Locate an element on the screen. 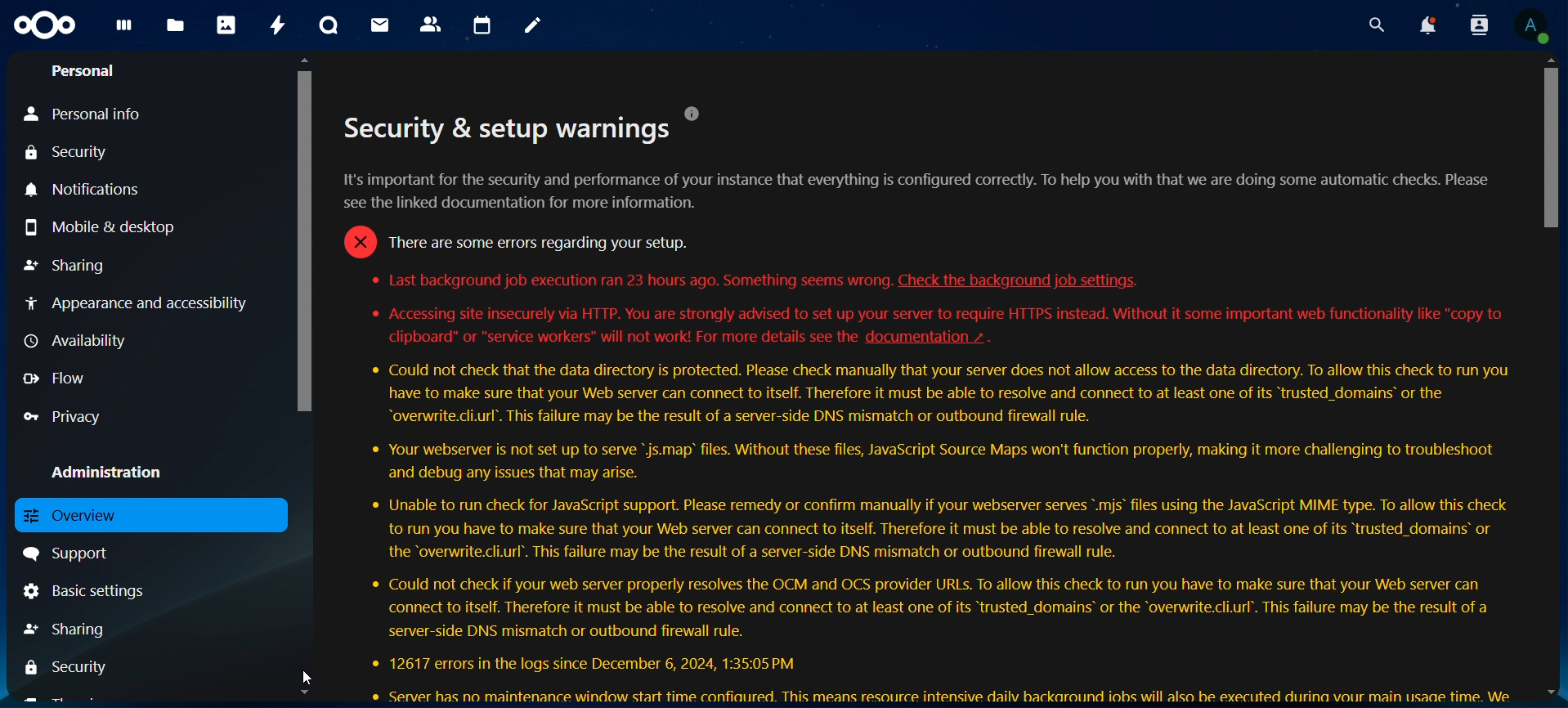 This screenshot has height=708, width=1568. Scrollbar is located at coordinates (1547, 379).